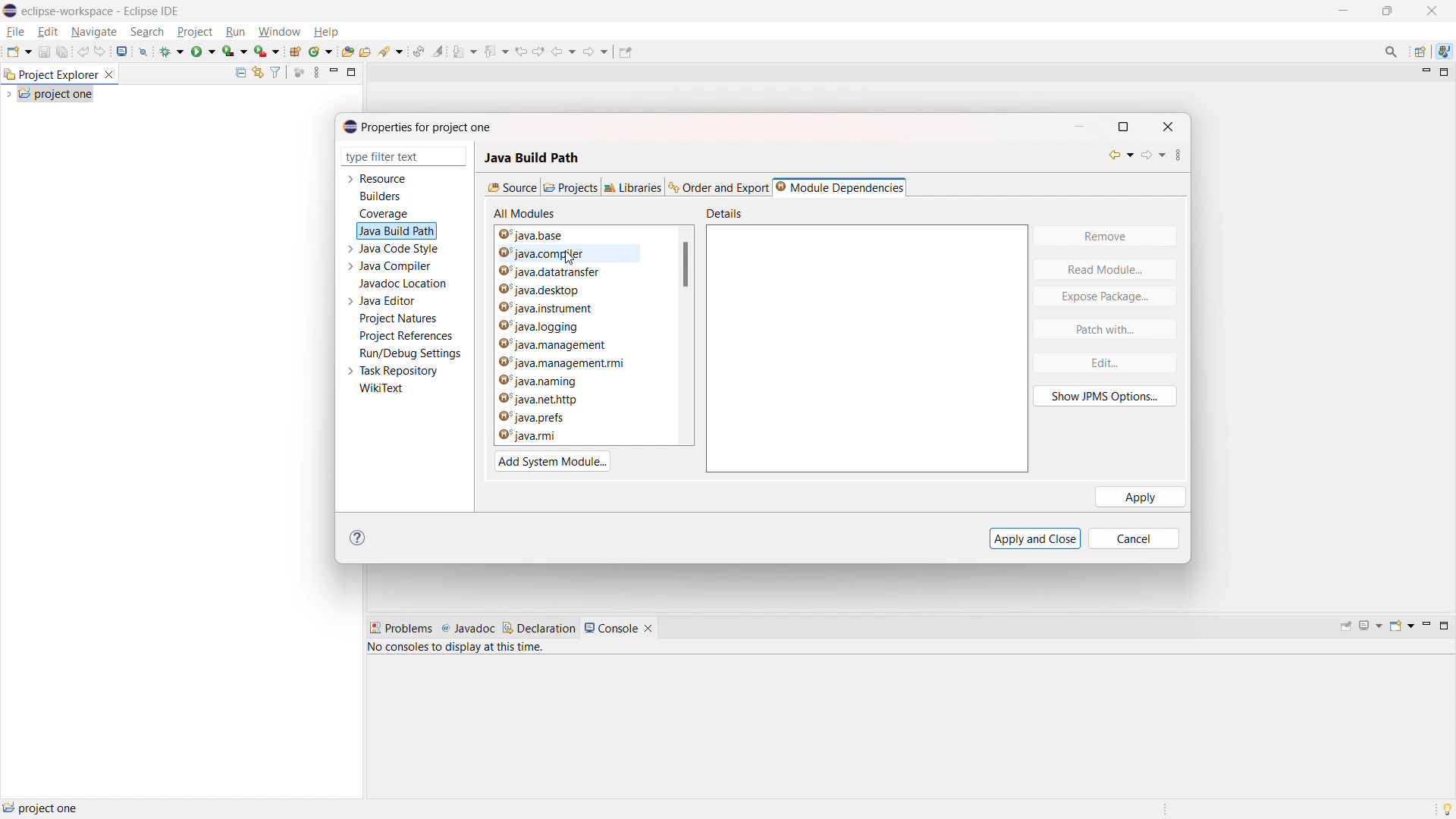  What do you see at coordinates (18, 51) in the screenshot?
I see `new` at bounding box center [18, 51].